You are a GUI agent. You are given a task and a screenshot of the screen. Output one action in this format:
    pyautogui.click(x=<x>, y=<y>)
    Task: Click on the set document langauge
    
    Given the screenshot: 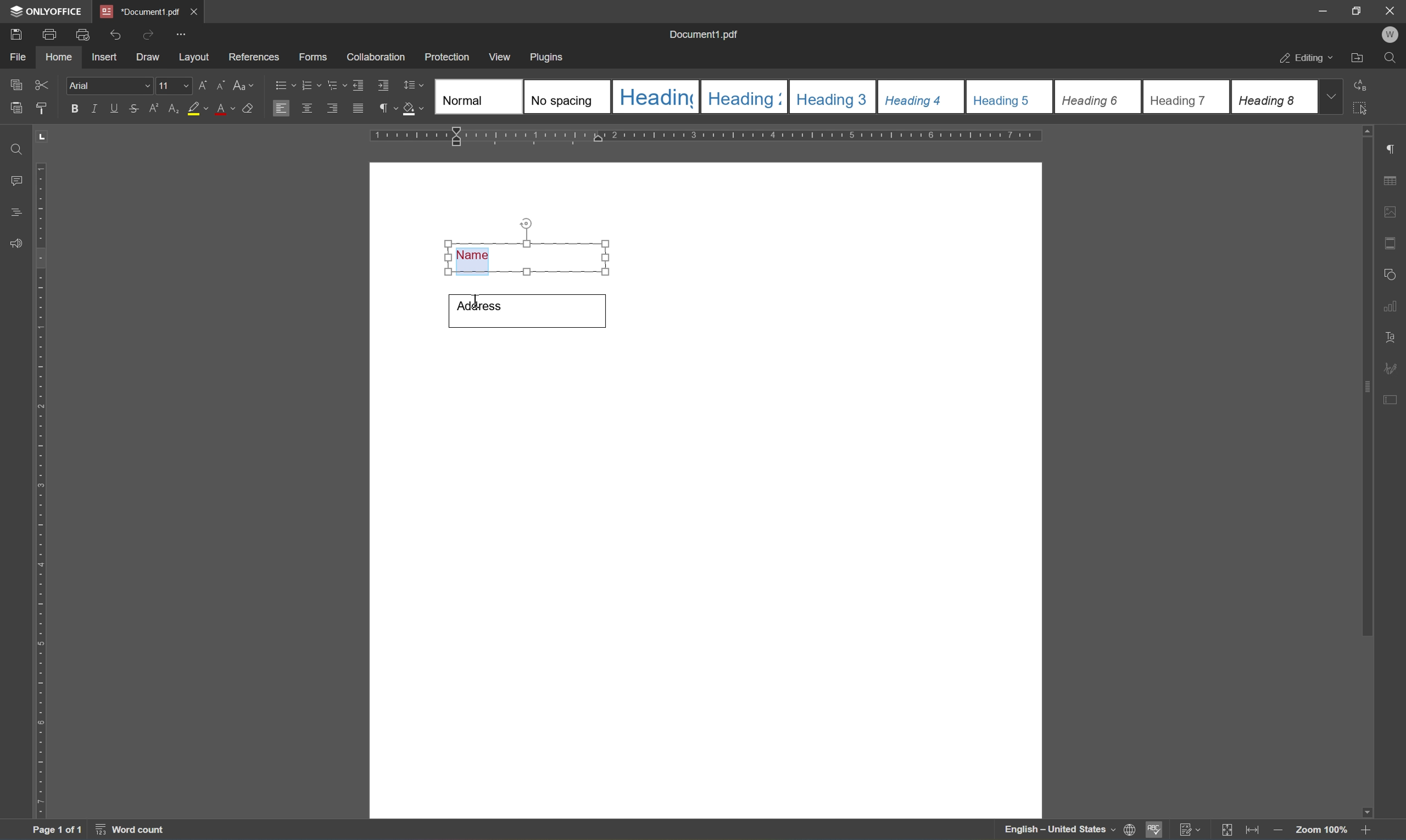 What is the action you would take?
    pyautogui.click(x=1130, y=830)
    